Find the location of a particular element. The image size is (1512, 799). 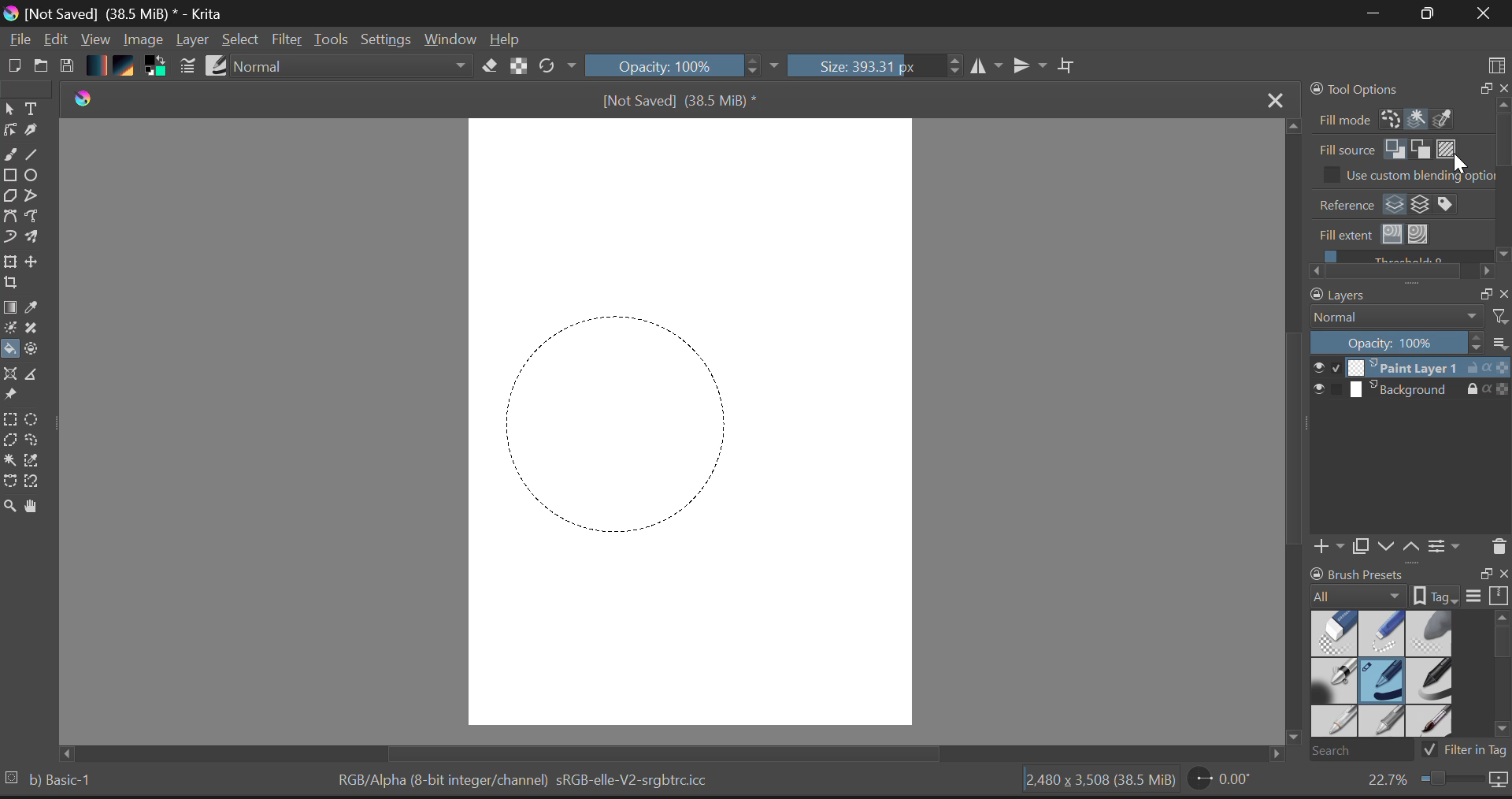

Save is located at coordinates (69, 66).